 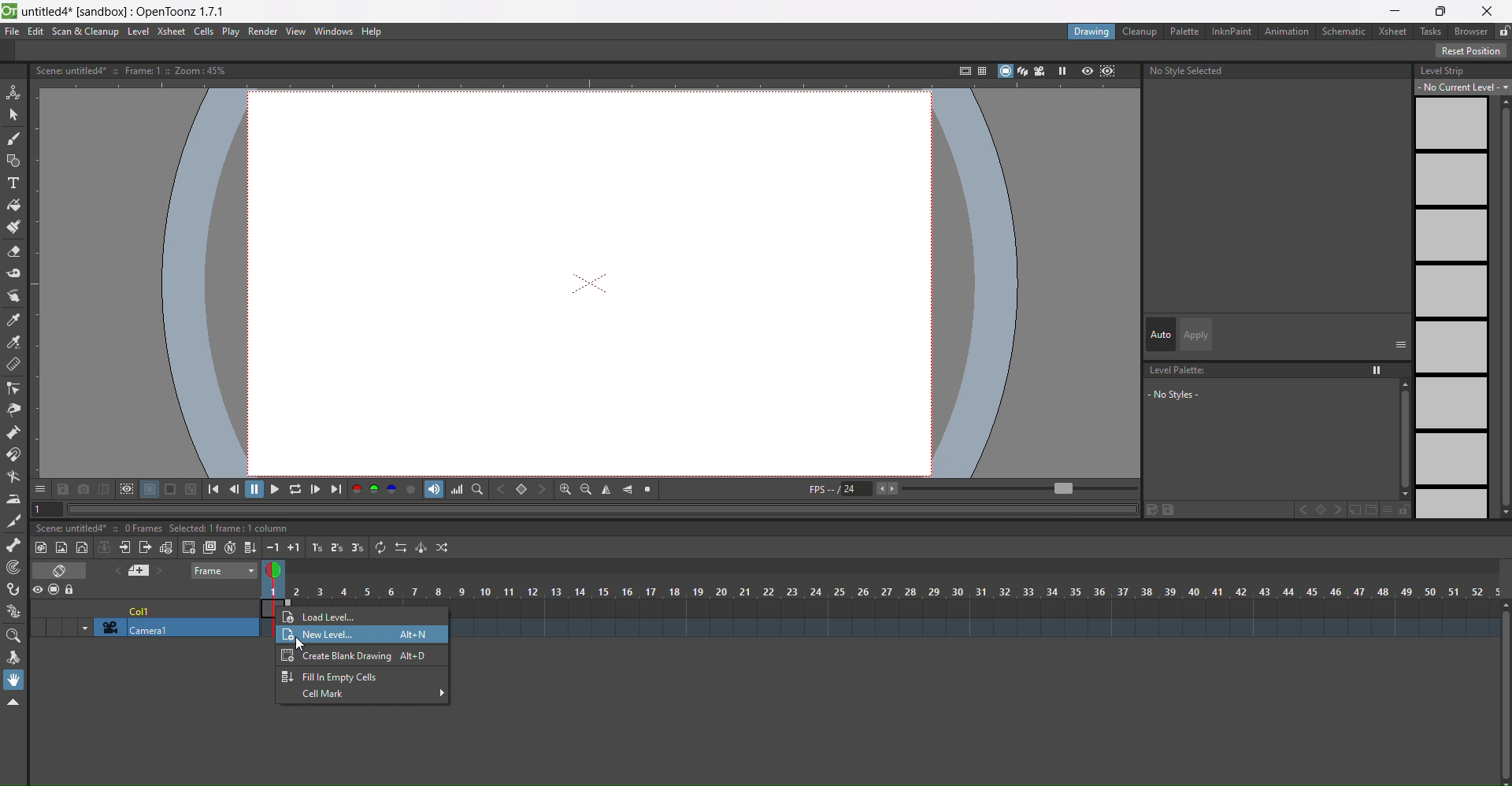 What do you see at coordinates (14, 93) in the screenshot?
I see `animation tool` at bounding box center [14, 93].